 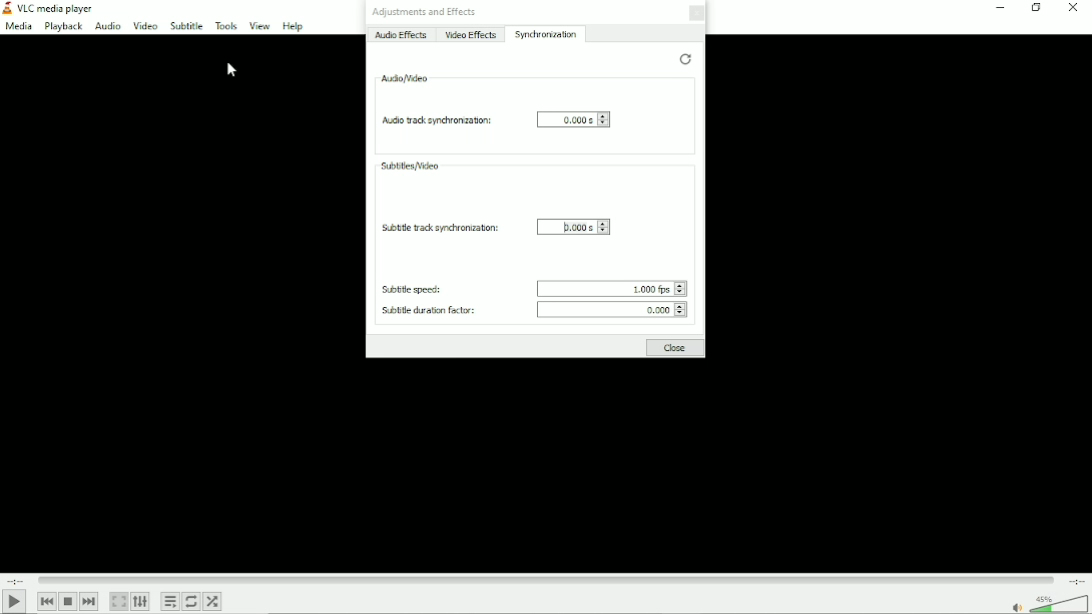 What do you see at coordinates (14, 602) in the screenshot?
I see `play` at bounding box center [14, 602].